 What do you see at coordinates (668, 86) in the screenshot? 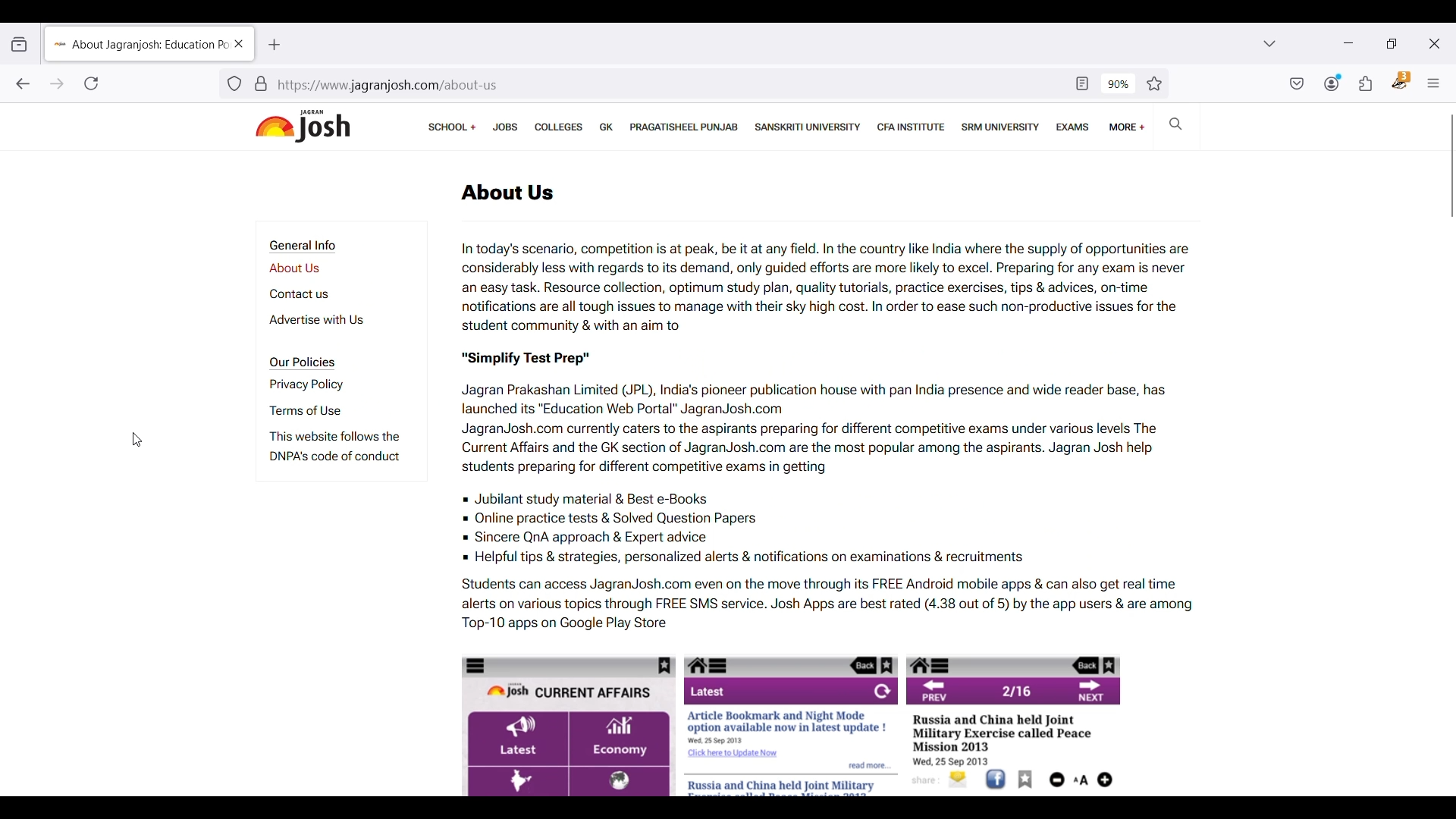
I see `https.//www jagranjosh.com/about-us` at bounding box center [668, 86].